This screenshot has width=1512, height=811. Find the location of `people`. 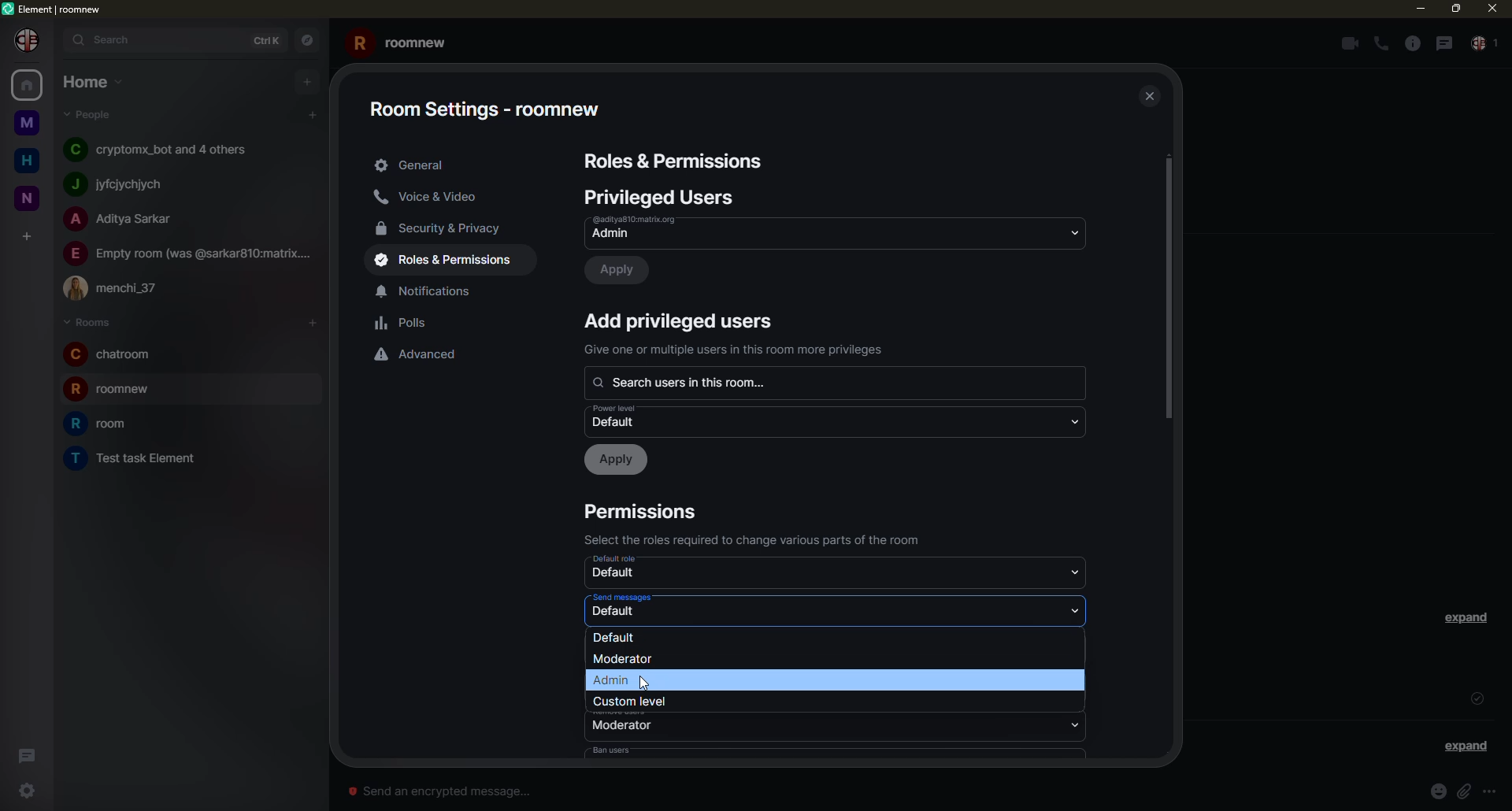

people is located at coordinates (1485, 45).